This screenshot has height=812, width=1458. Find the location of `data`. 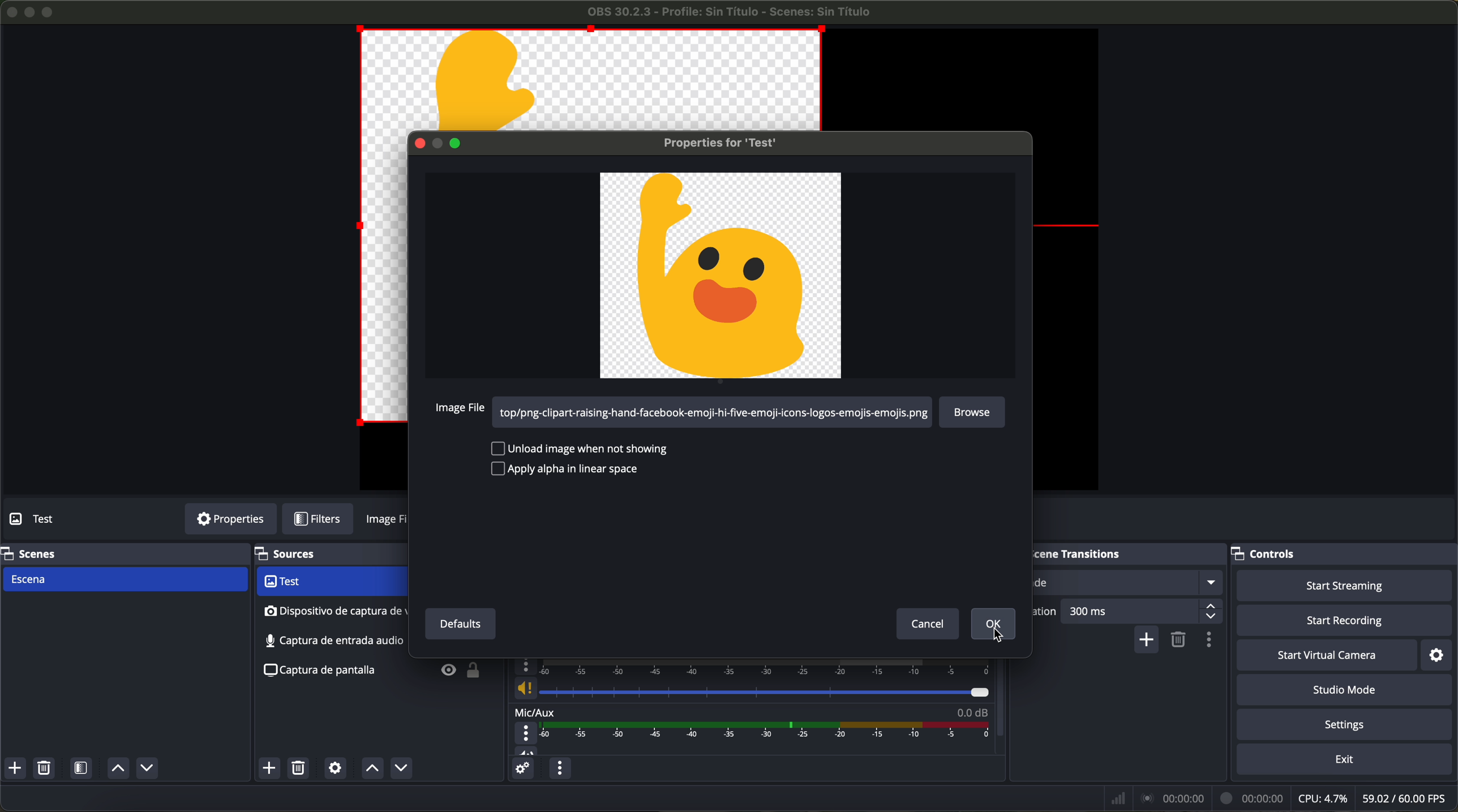

data is located at coordinates (1281, 798).